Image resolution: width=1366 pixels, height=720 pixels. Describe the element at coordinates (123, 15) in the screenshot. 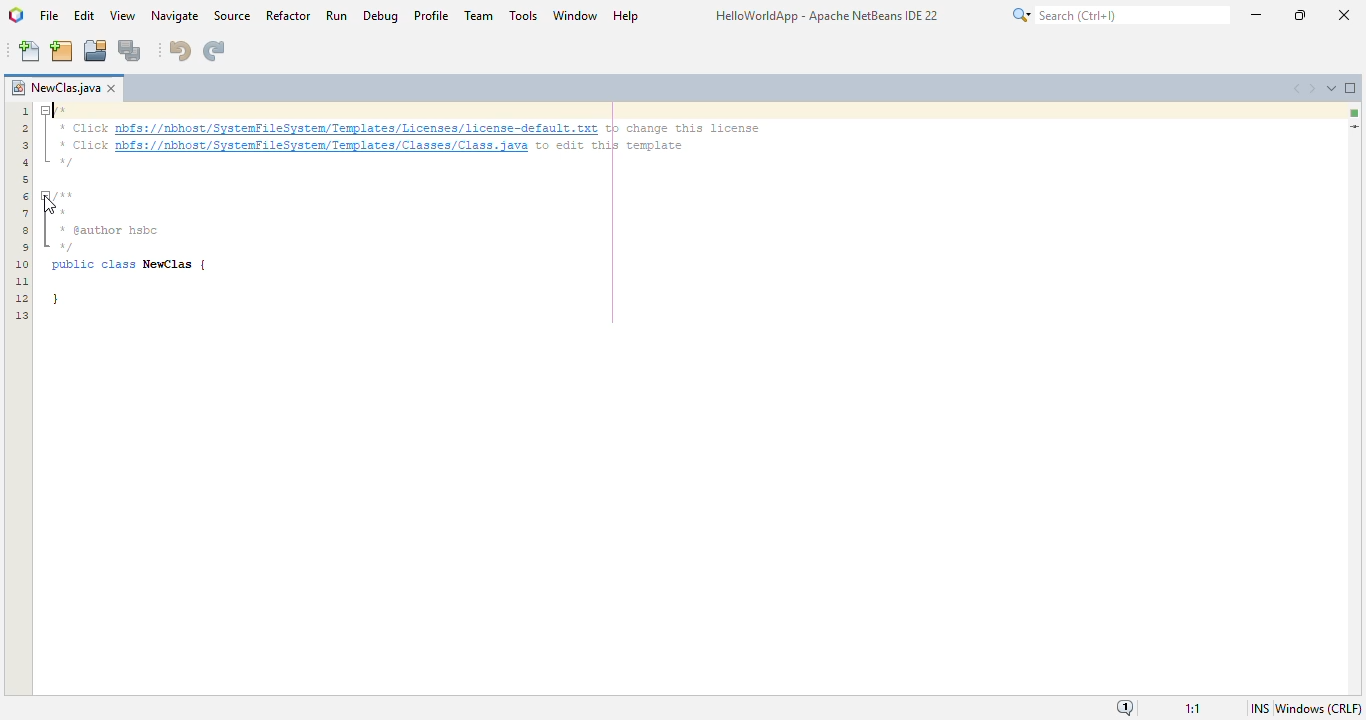

I see `view` at that location.